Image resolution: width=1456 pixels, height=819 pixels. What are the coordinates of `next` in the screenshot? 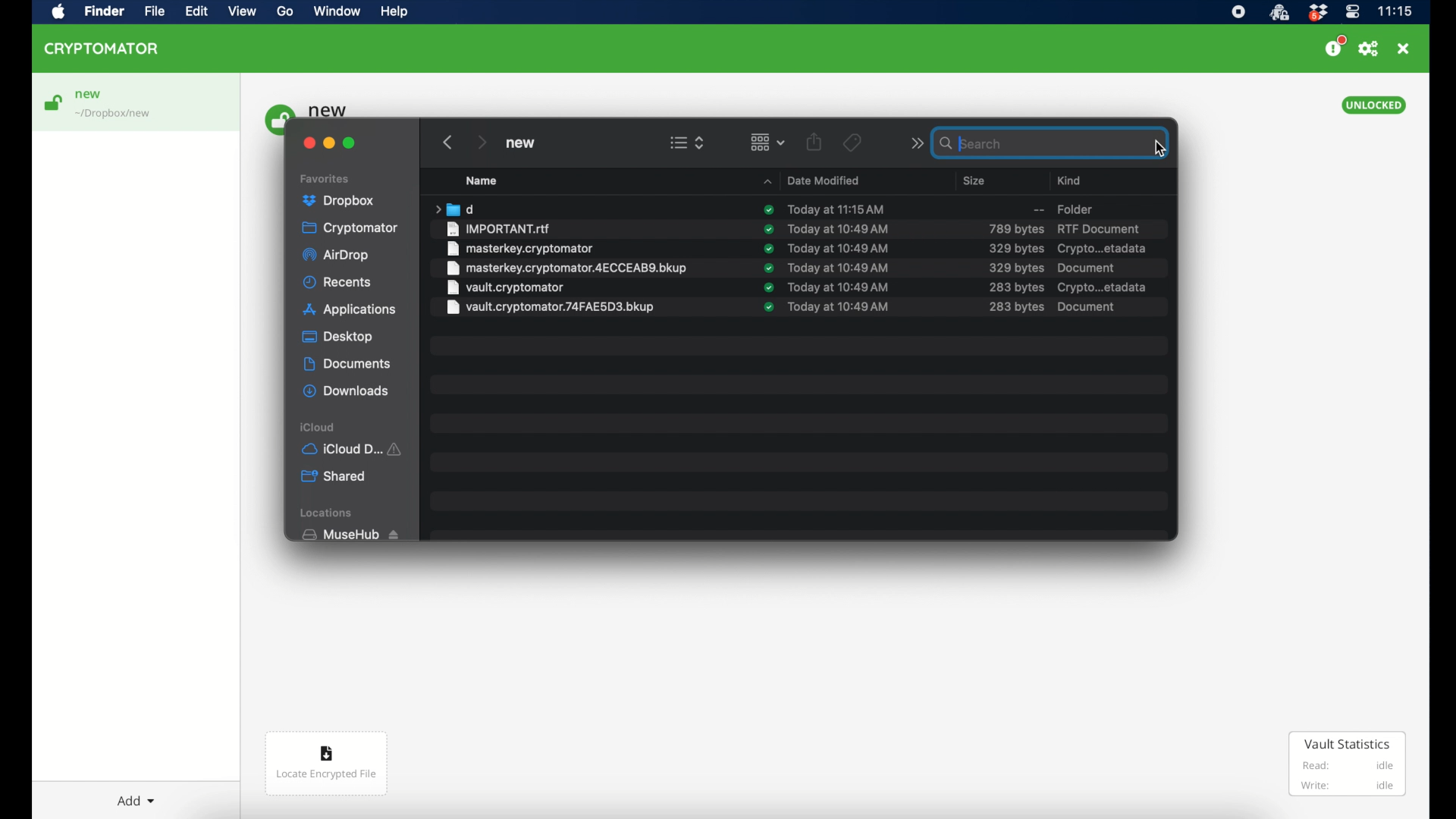 It's located at (484, 140).